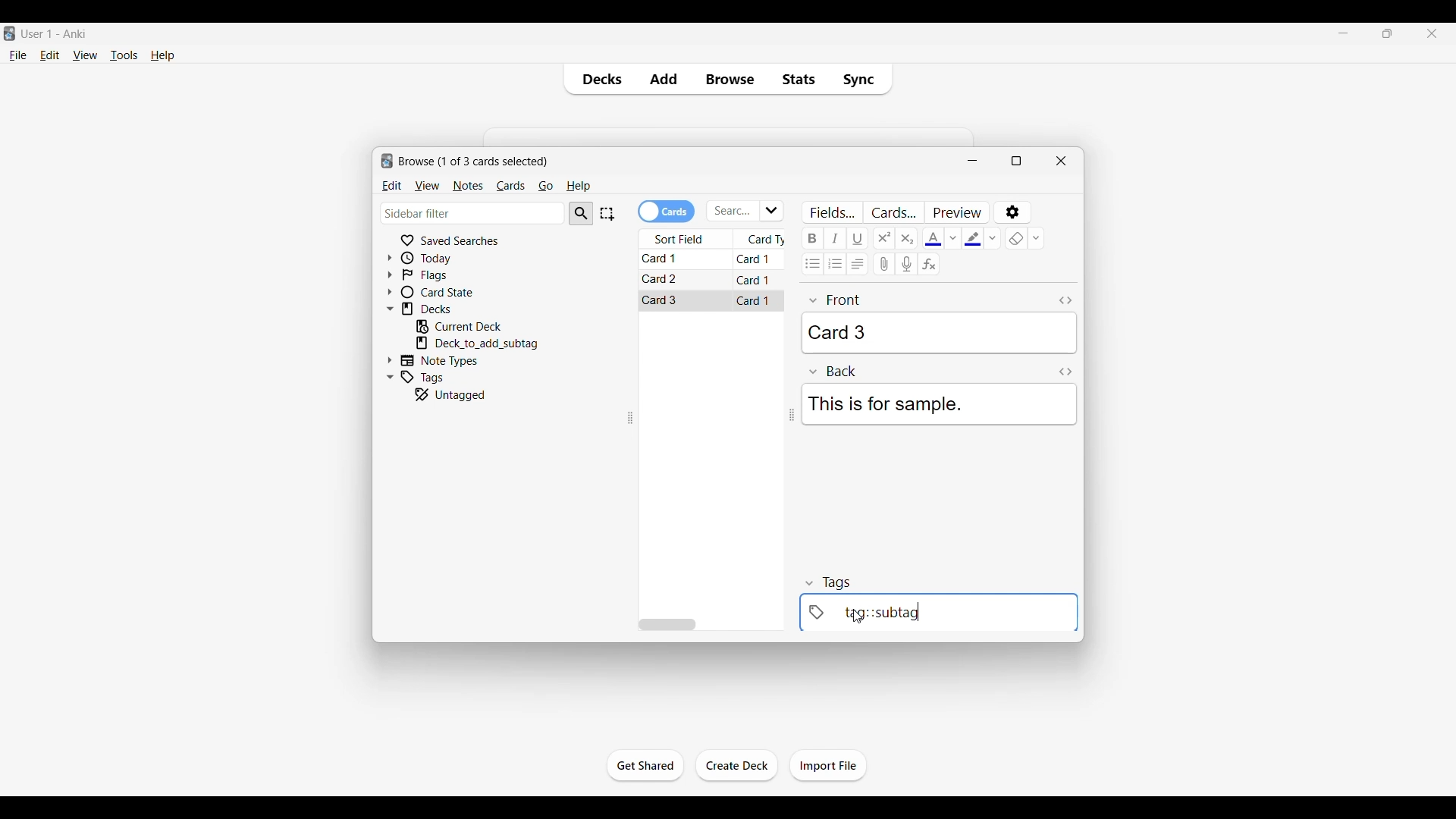 This screenshot has width=1456, height=819. Describe the element at coordinates (836, 300) in the screenshot. I see `front` at that location.